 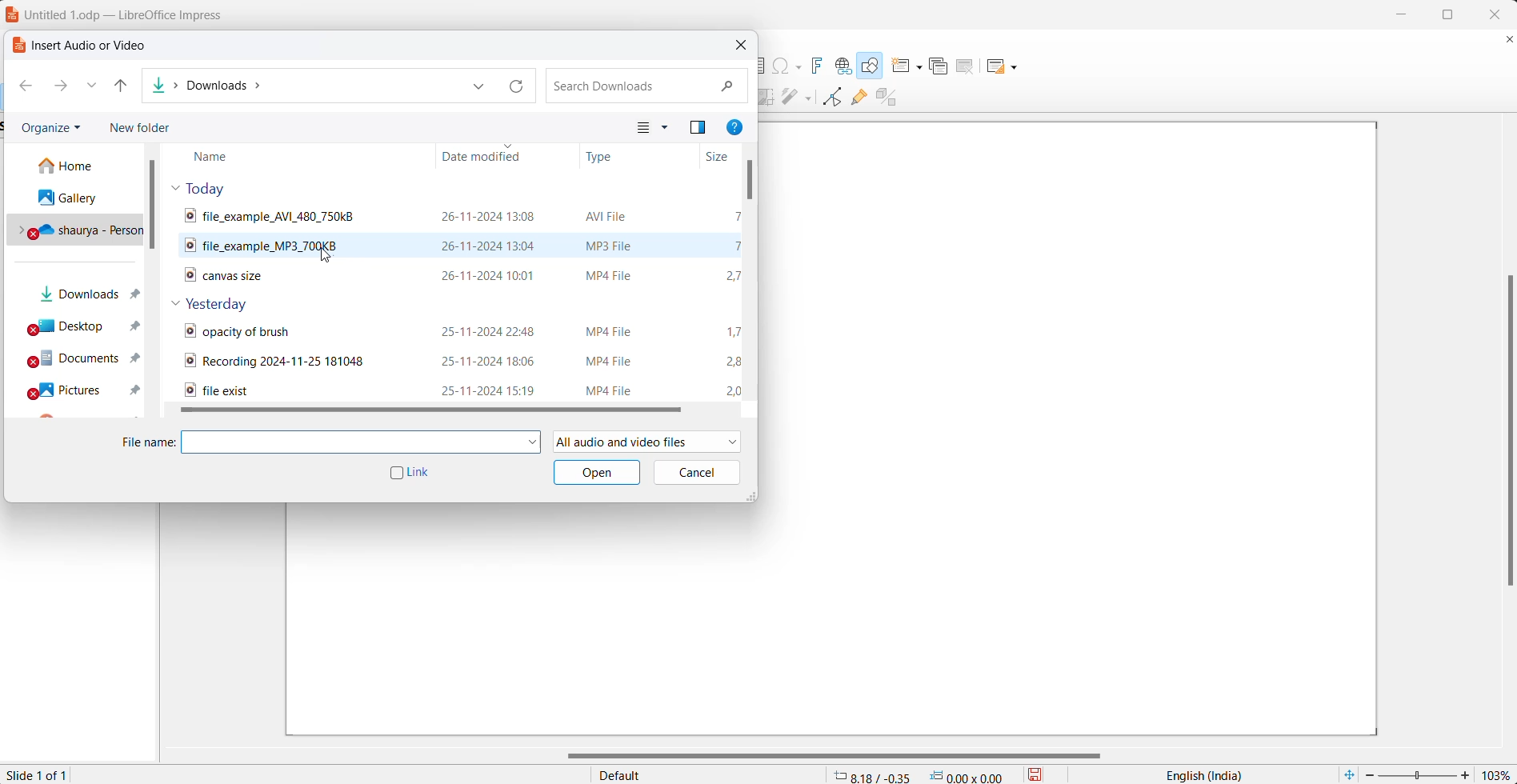 I want to click on toggle extrusion, so click(x=889, y=98).